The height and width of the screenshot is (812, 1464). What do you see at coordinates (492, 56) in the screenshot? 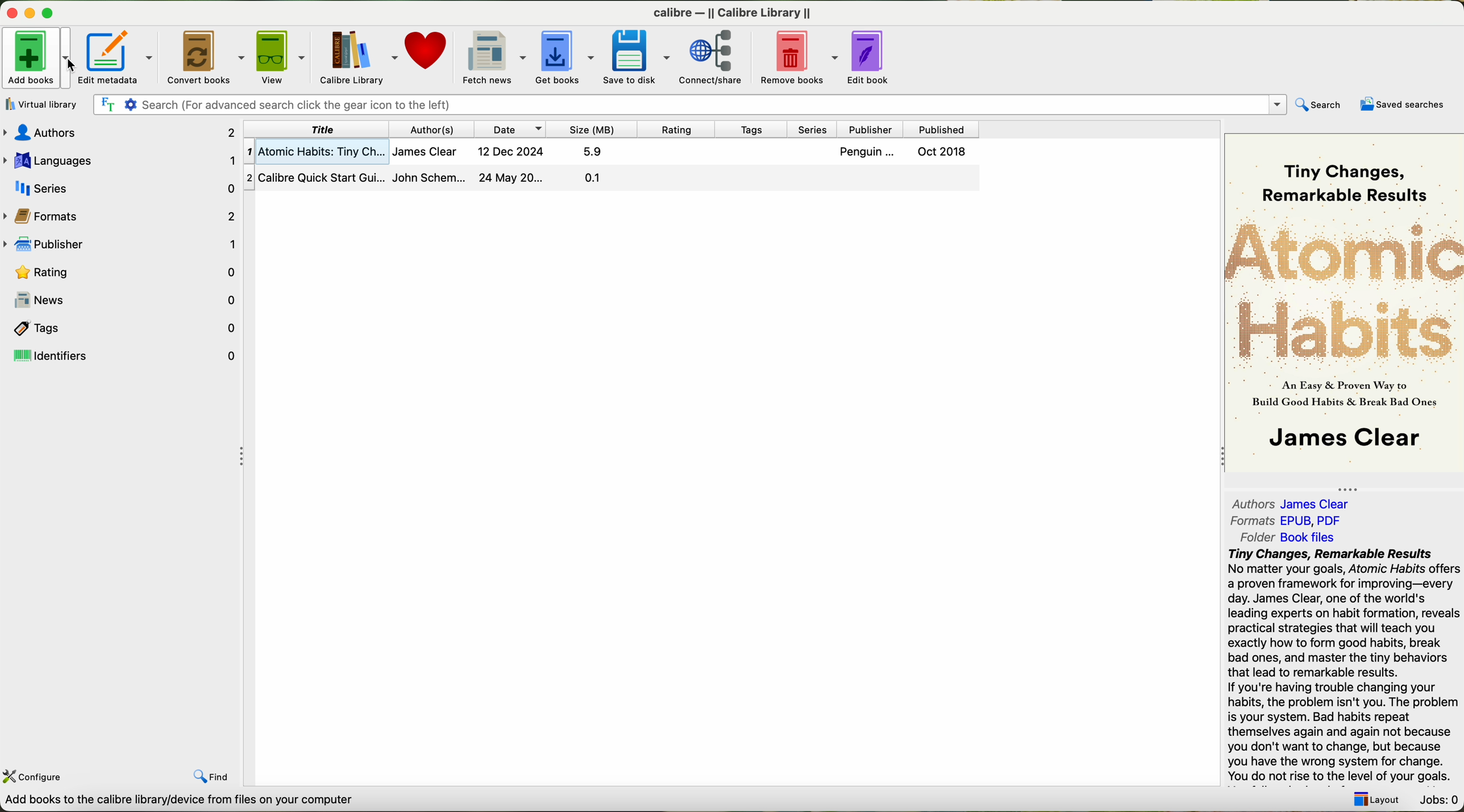
I see `fetch news` at bounding box center [492, 56].